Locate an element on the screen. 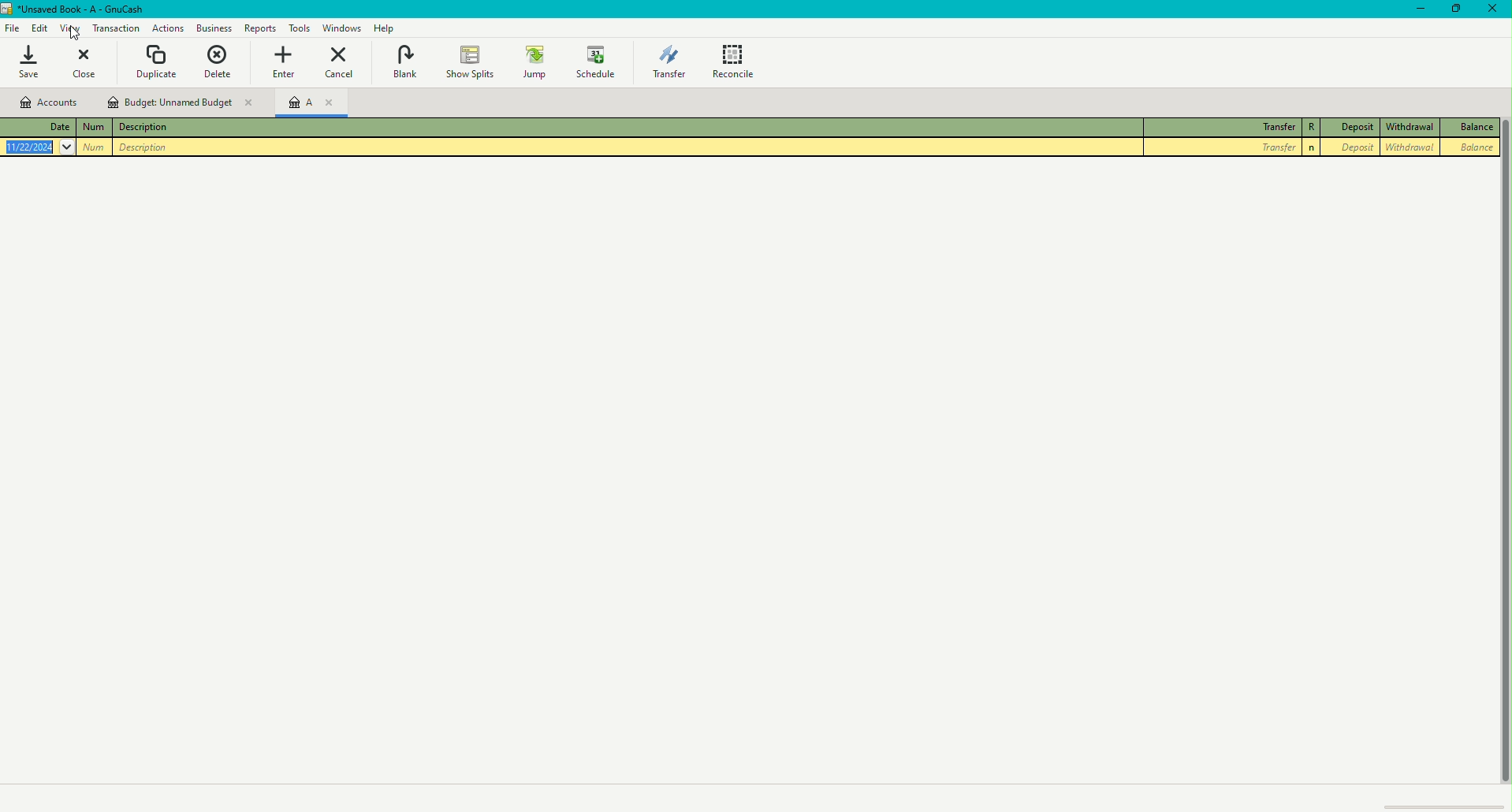 This screenshot has width=1512, height=812. Unsaved Budget - GnuCash is located at coordinates (76, 9).